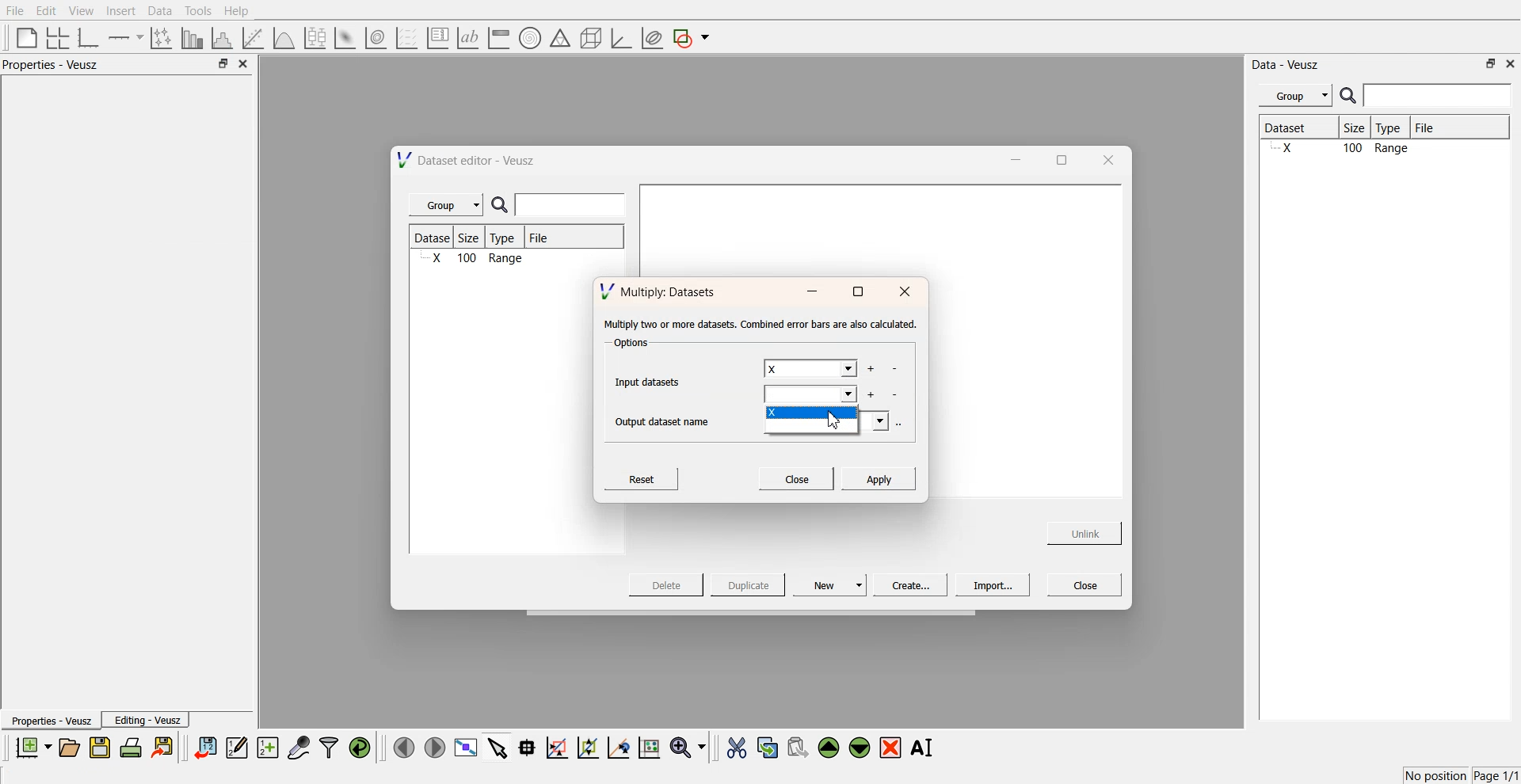 This screenshot has width=1521, height=784. Describe the element at coordinates (468, 160) in the screenshot. I see `Dataset editor - Veusz` at that location.